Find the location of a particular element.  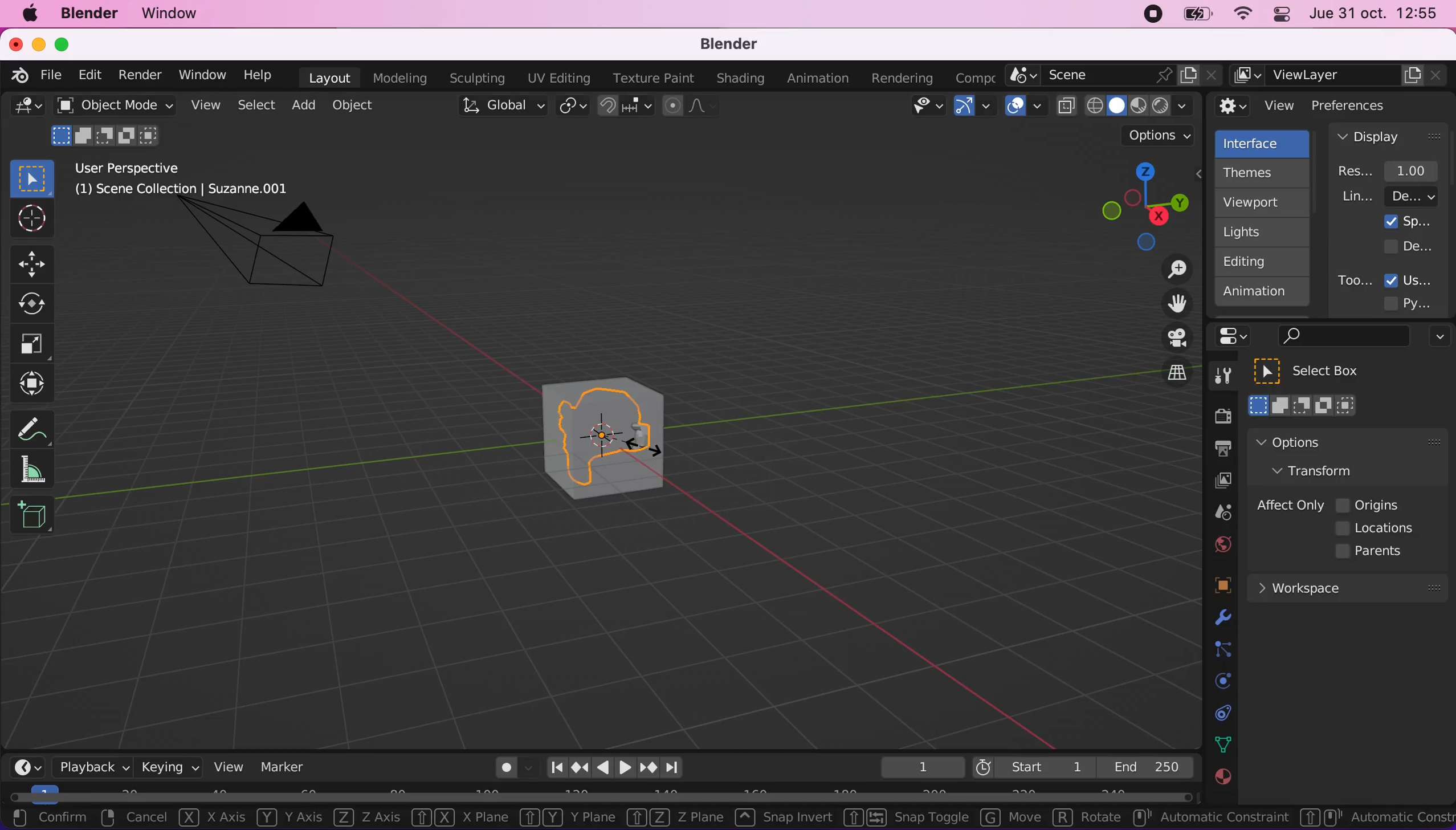

file is located at coordinates (49, 75).